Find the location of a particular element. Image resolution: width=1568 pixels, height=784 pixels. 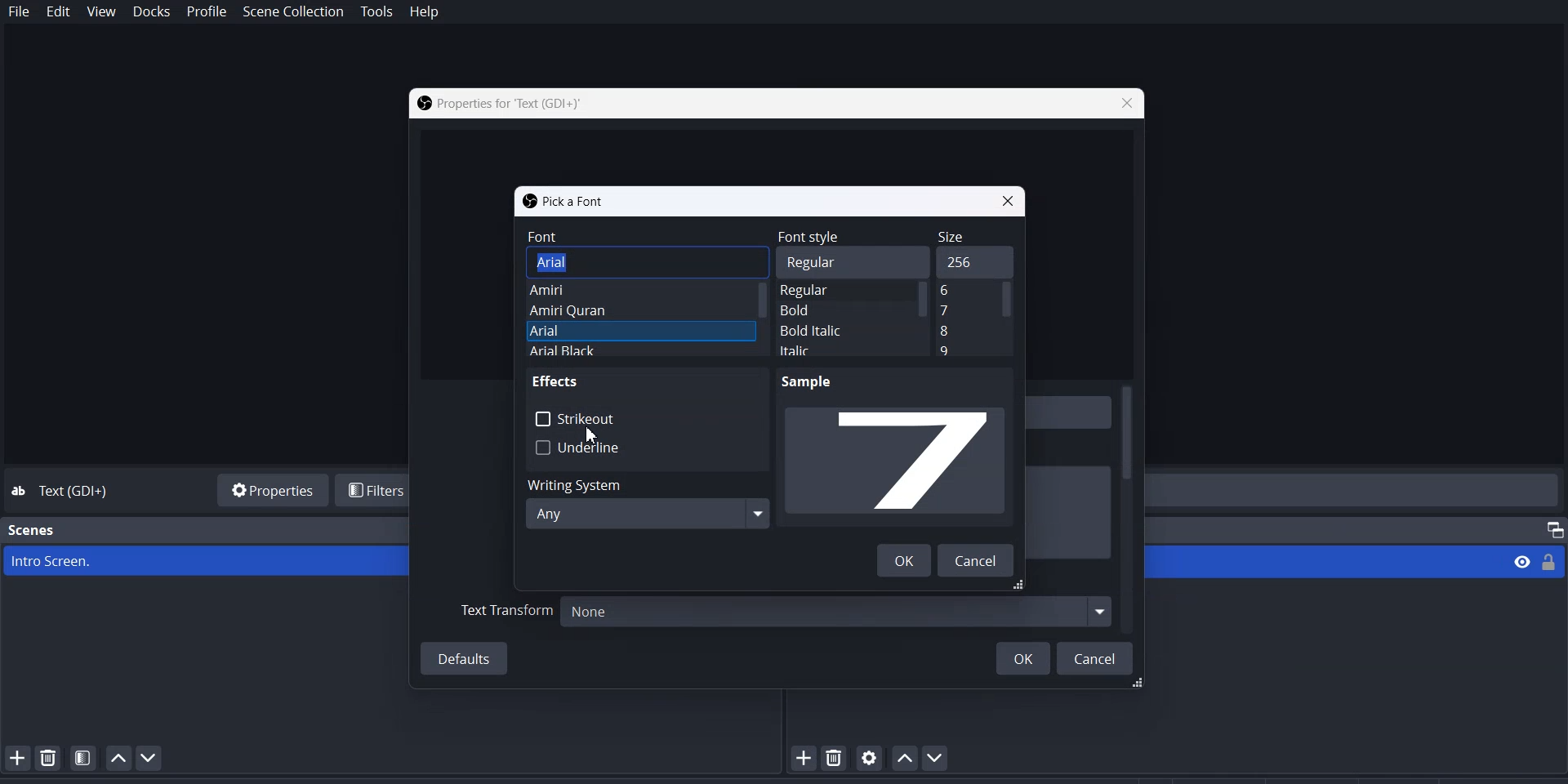

open source properties is located at coordinates (870, 757).